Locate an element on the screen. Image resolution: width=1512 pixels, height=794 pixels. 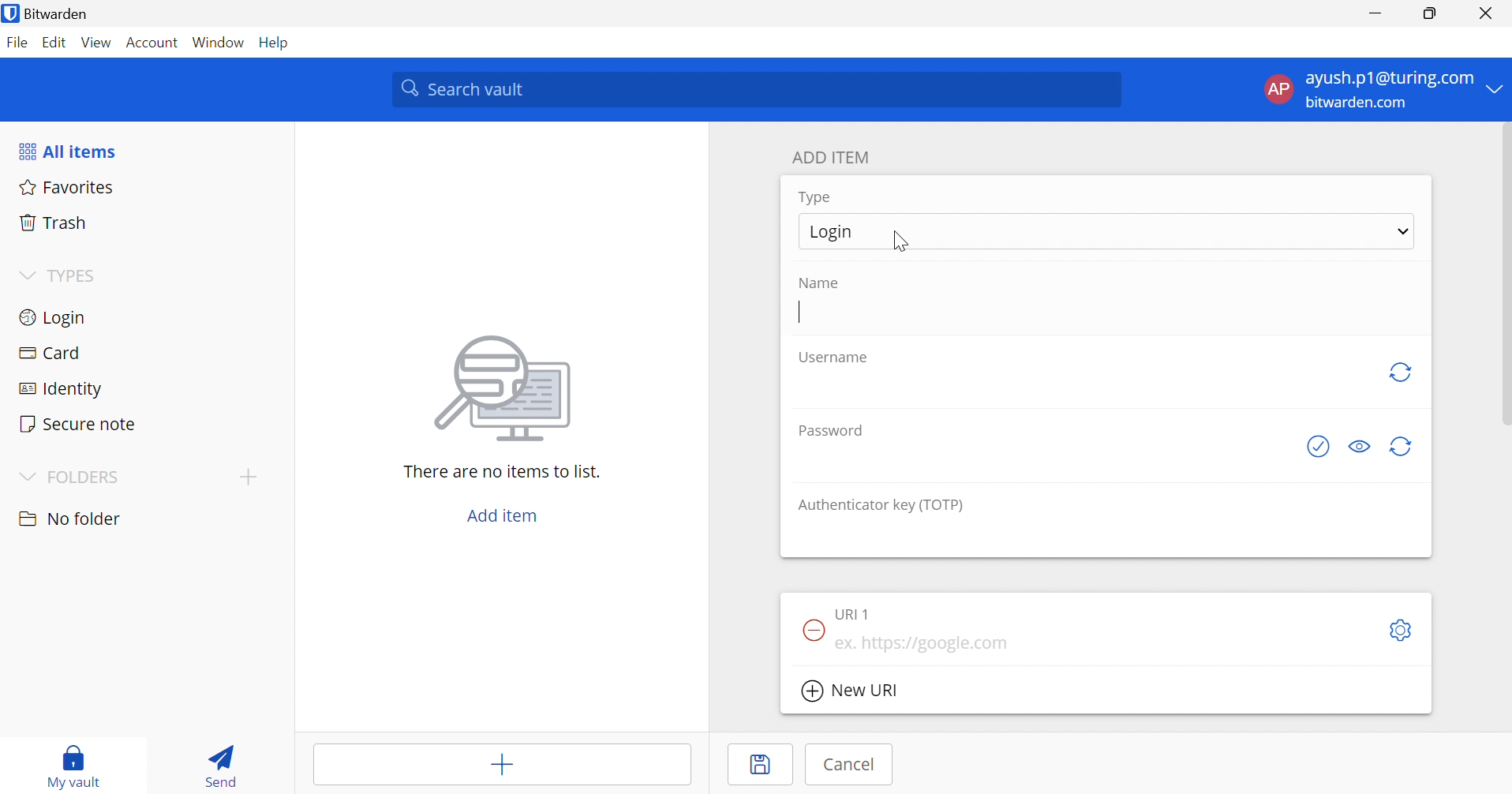
Toggle options is located at coordinates (1404, 629).